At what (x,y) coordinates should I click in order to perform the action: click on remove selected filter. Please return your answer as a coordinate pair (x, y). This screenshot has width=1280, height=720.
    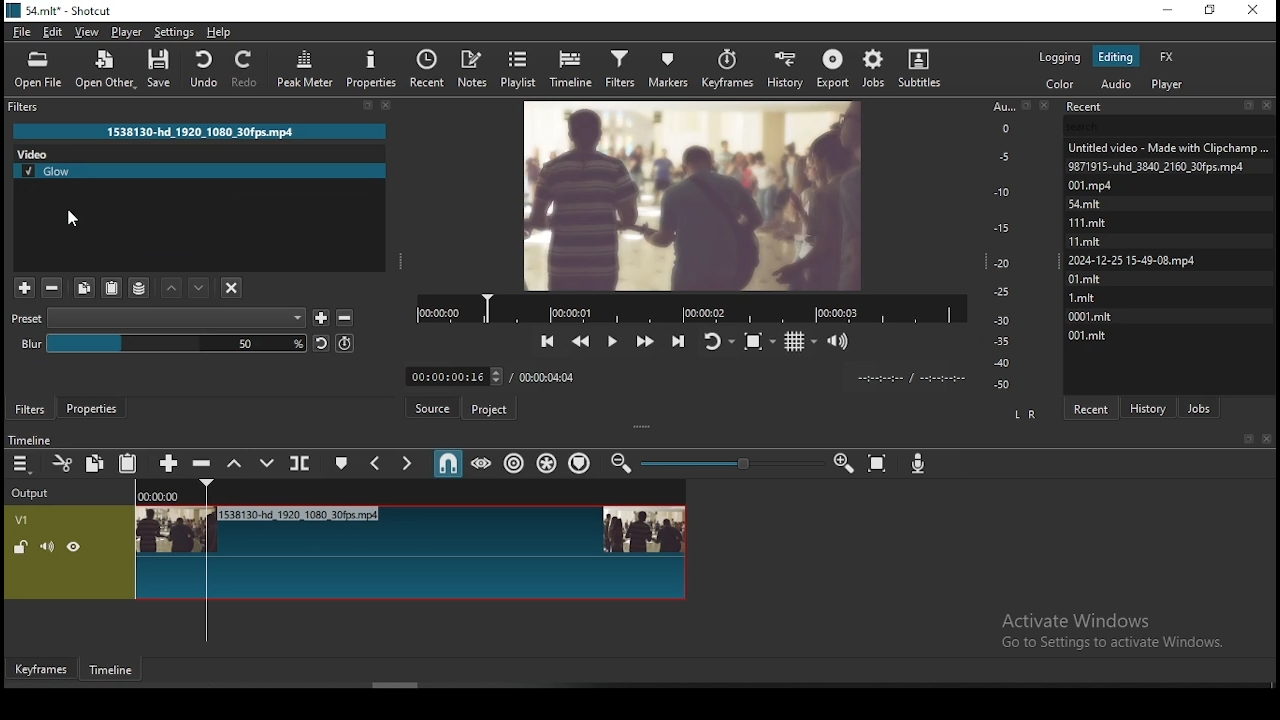
    Looking at the image, I should click on (54, 289).